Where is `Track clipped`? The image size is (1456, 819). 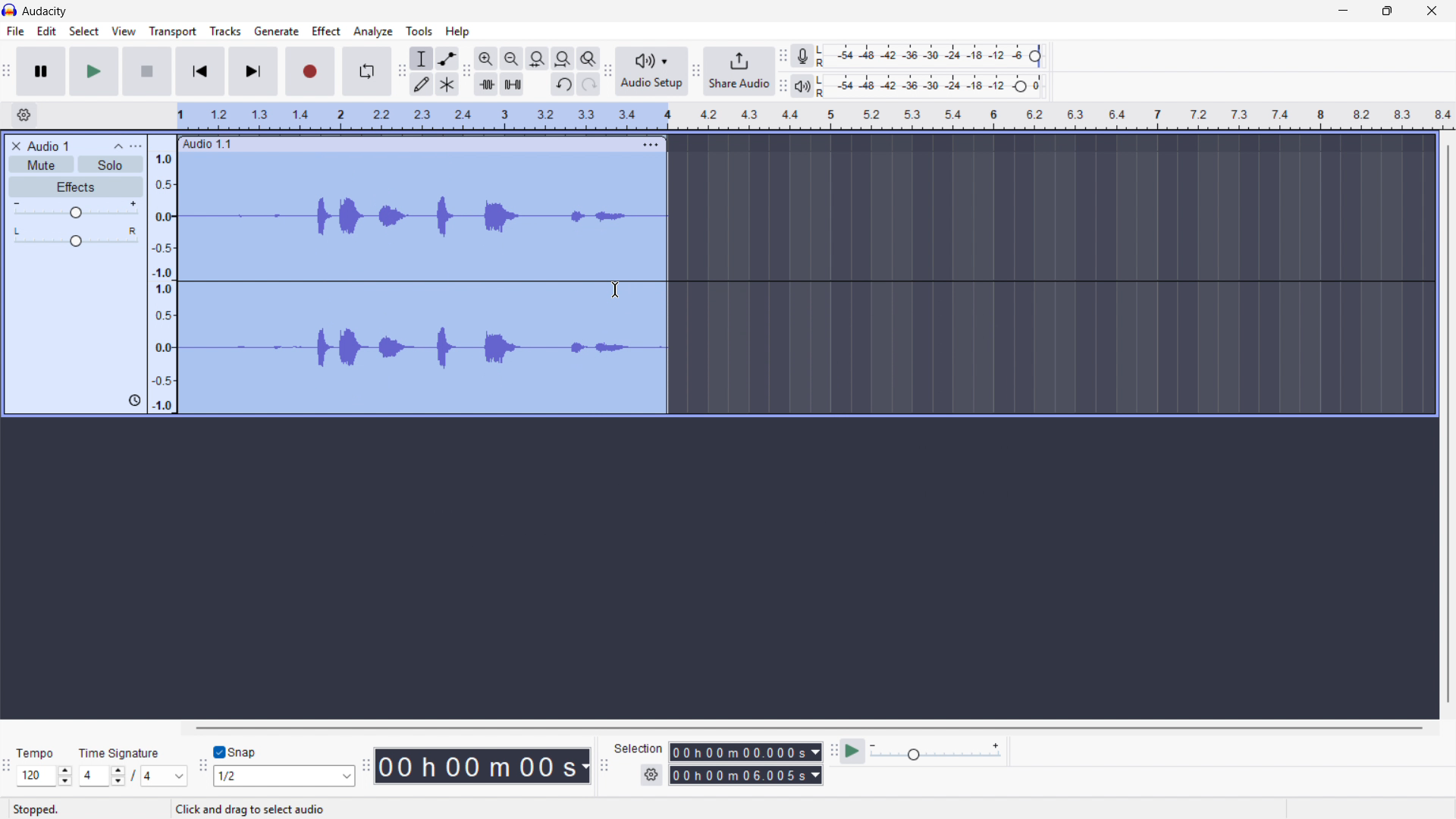 Track clipped is located at coordinates (425, 284).